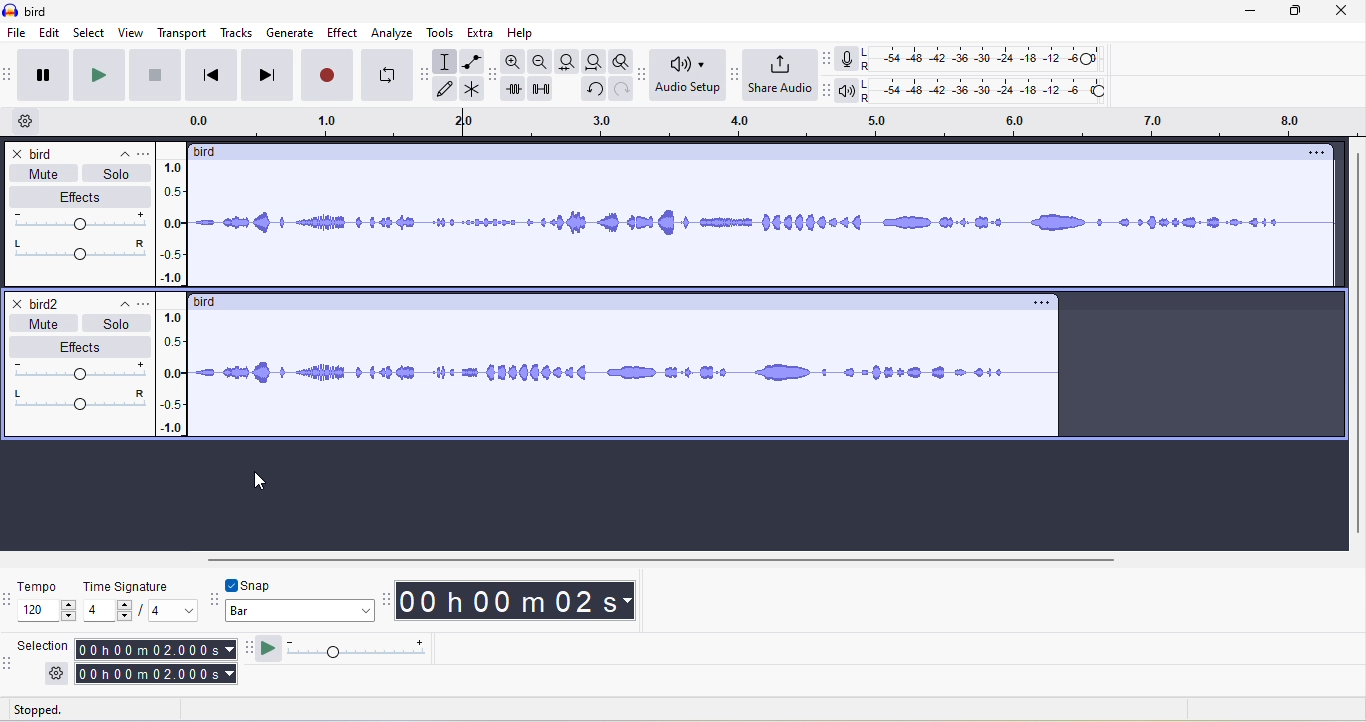  What do you see at coordinates (80, 222) in the screenshot?
I see `volume` at bounding box center [80, 222].